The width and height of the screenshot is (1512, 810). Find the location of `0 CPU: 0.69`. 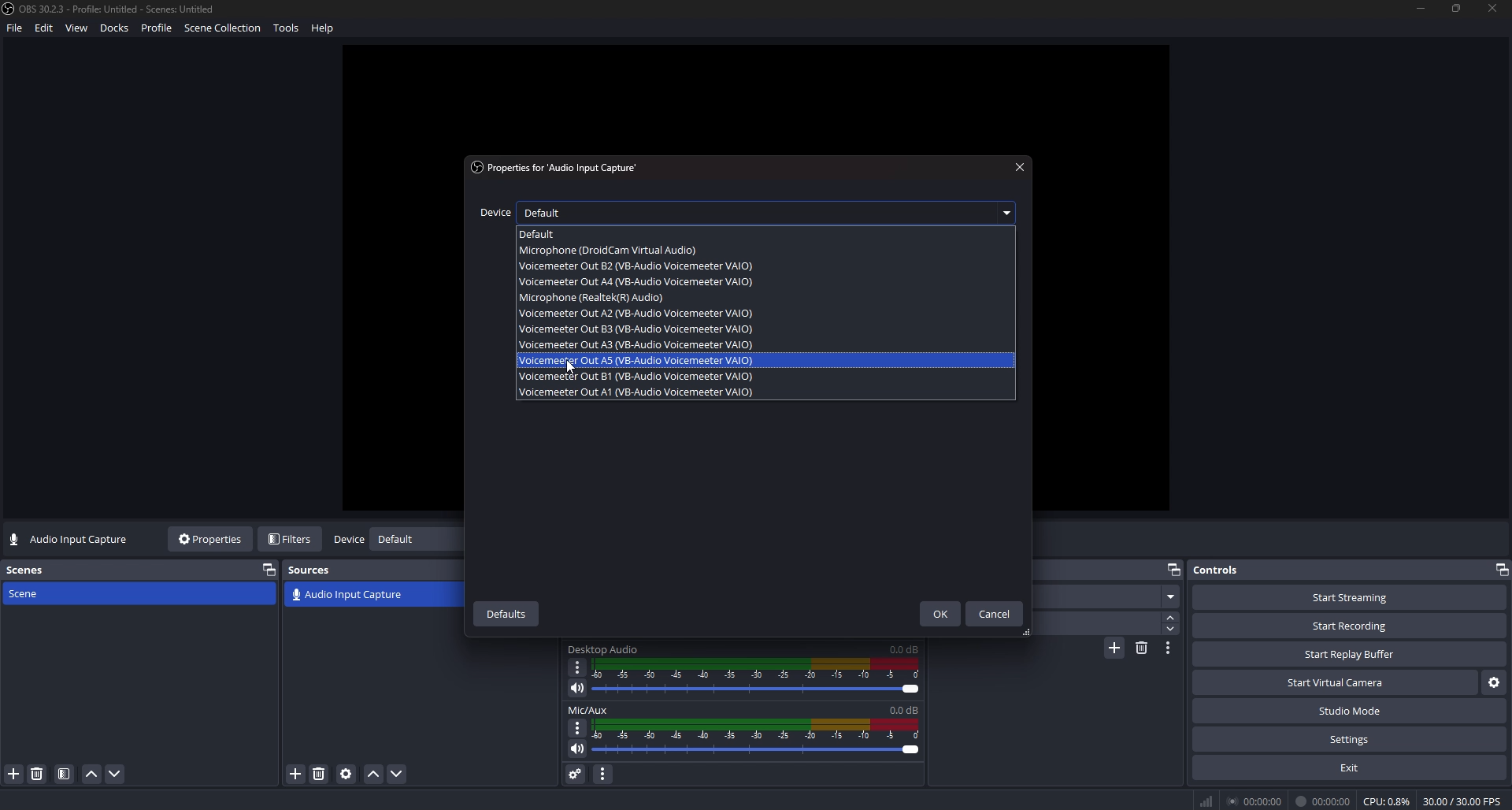

0 CPU: 0.69 is located at coordinates (1384, 798).